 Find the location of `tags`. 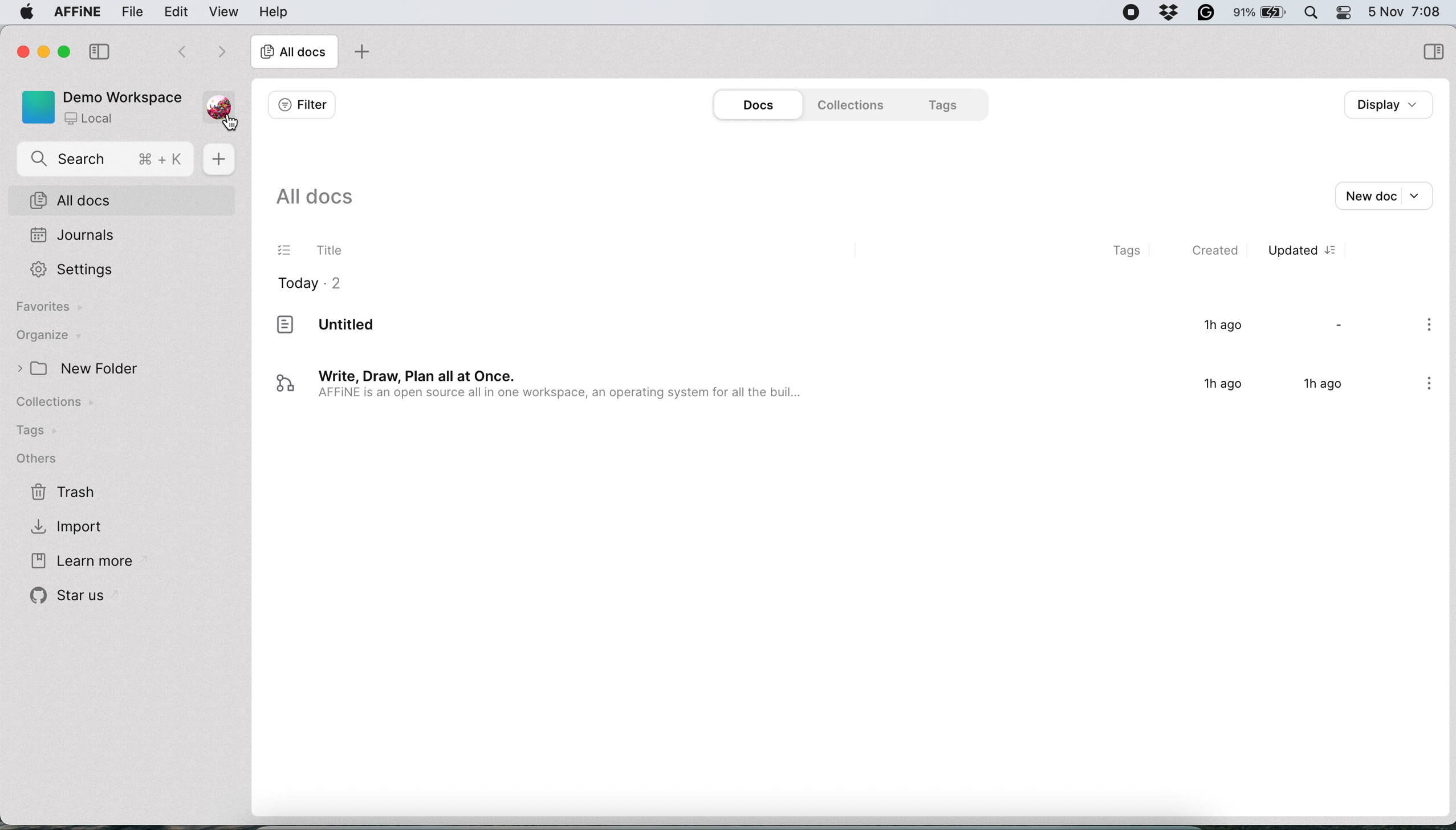

tags is located at coordinates (944, 104).